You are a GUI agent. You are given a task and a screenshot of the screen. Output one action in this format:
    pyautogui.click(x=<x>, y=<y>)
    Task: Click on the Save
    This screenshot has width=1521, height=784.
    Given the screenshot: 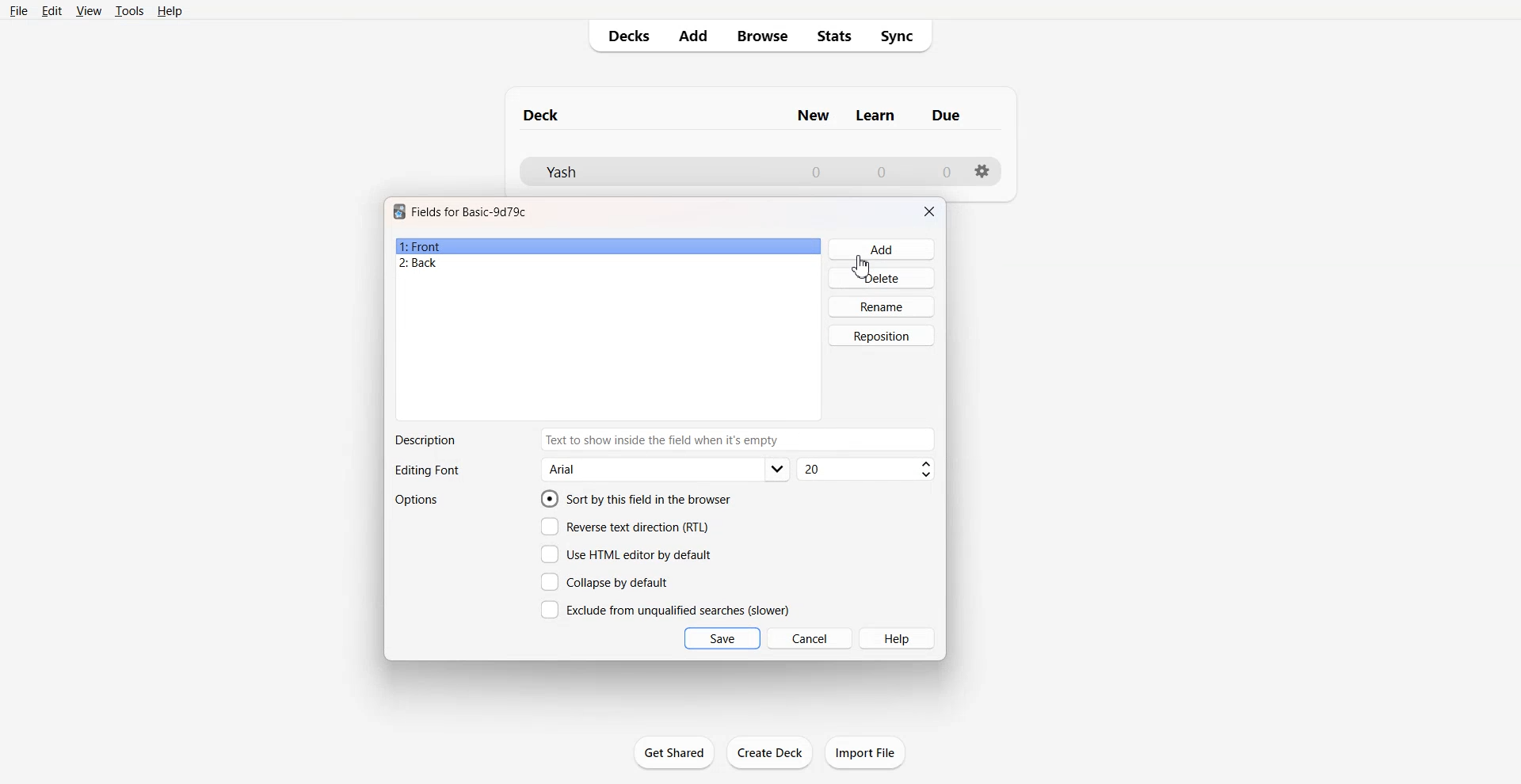 What is the action you would take?
    pyautogui.click(x=722, y=638)
    